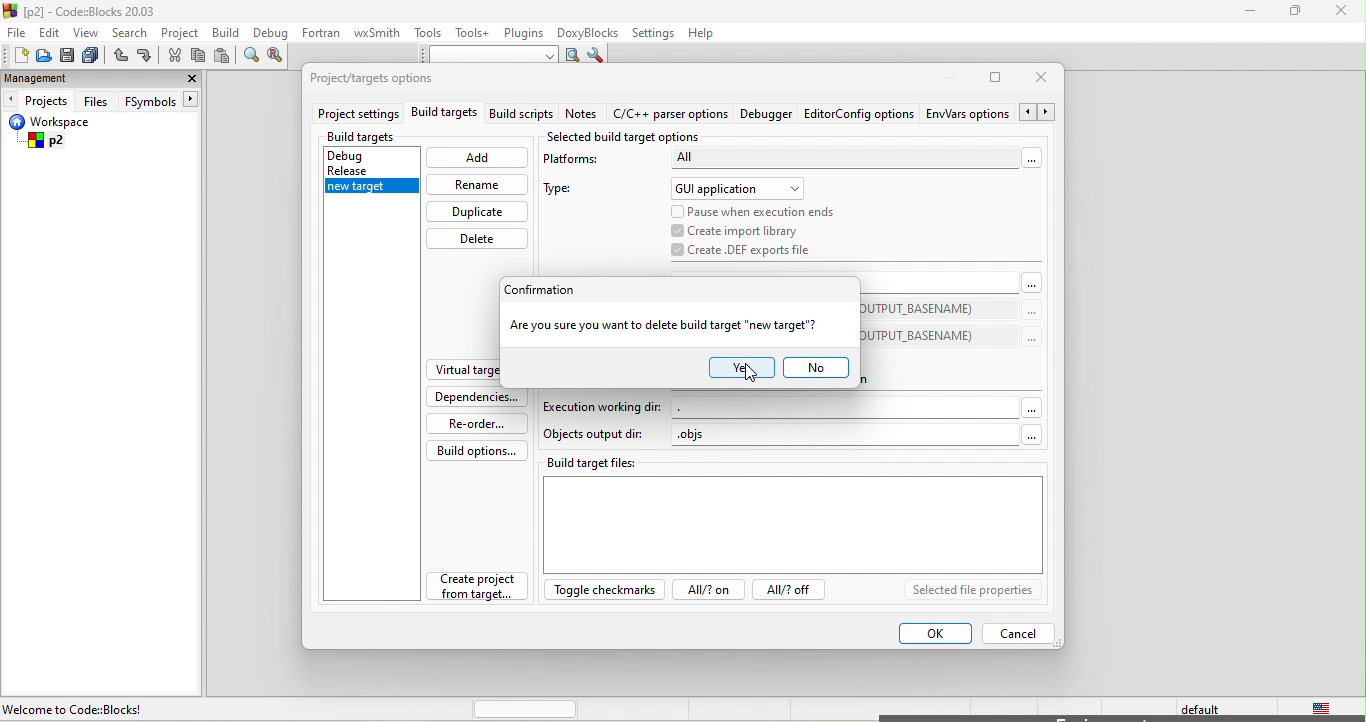  I want to click on selected build target options, so click(626, 136).